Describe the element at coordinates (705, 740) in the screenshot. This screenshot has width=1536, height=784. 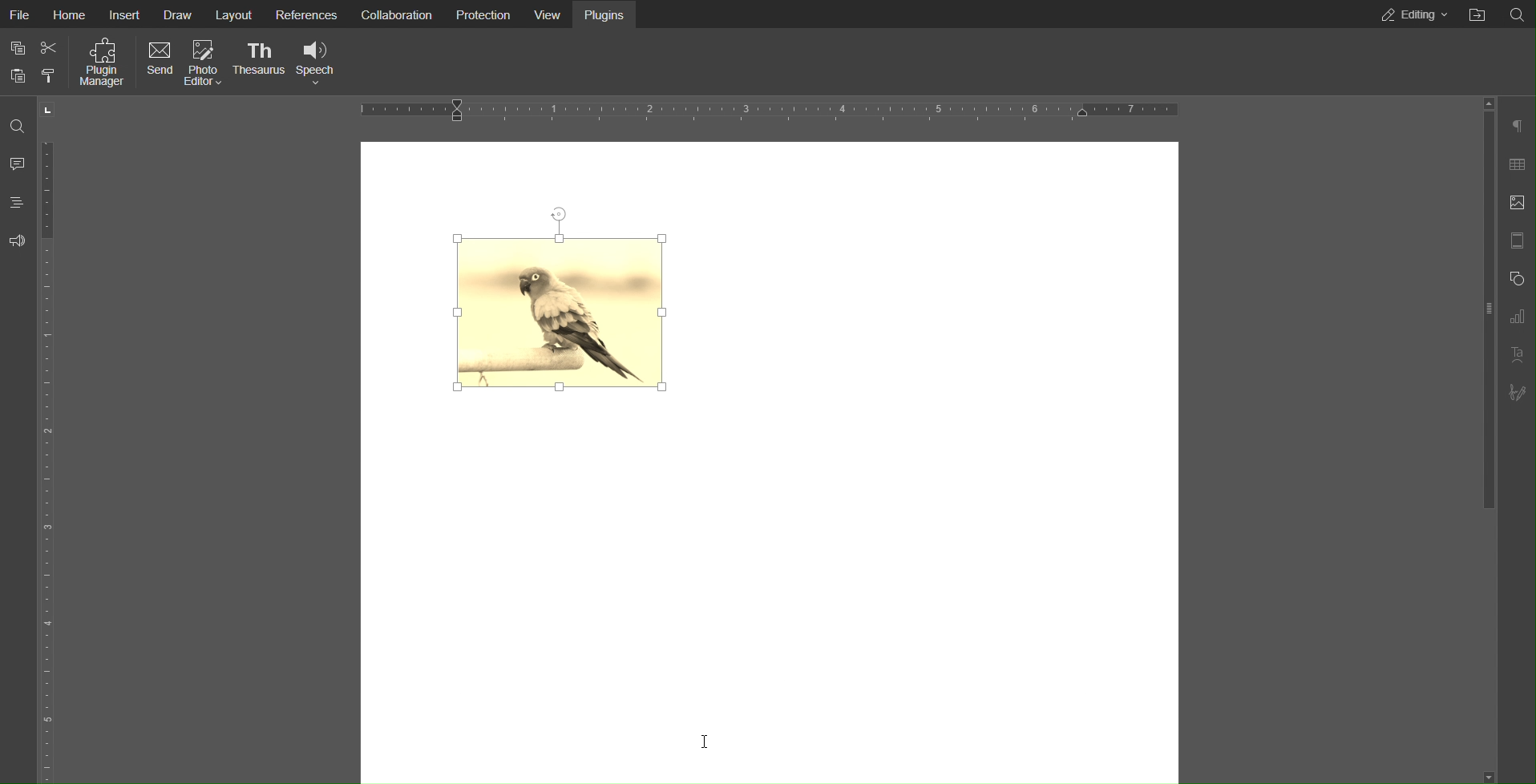
I see `cursor` at that location.